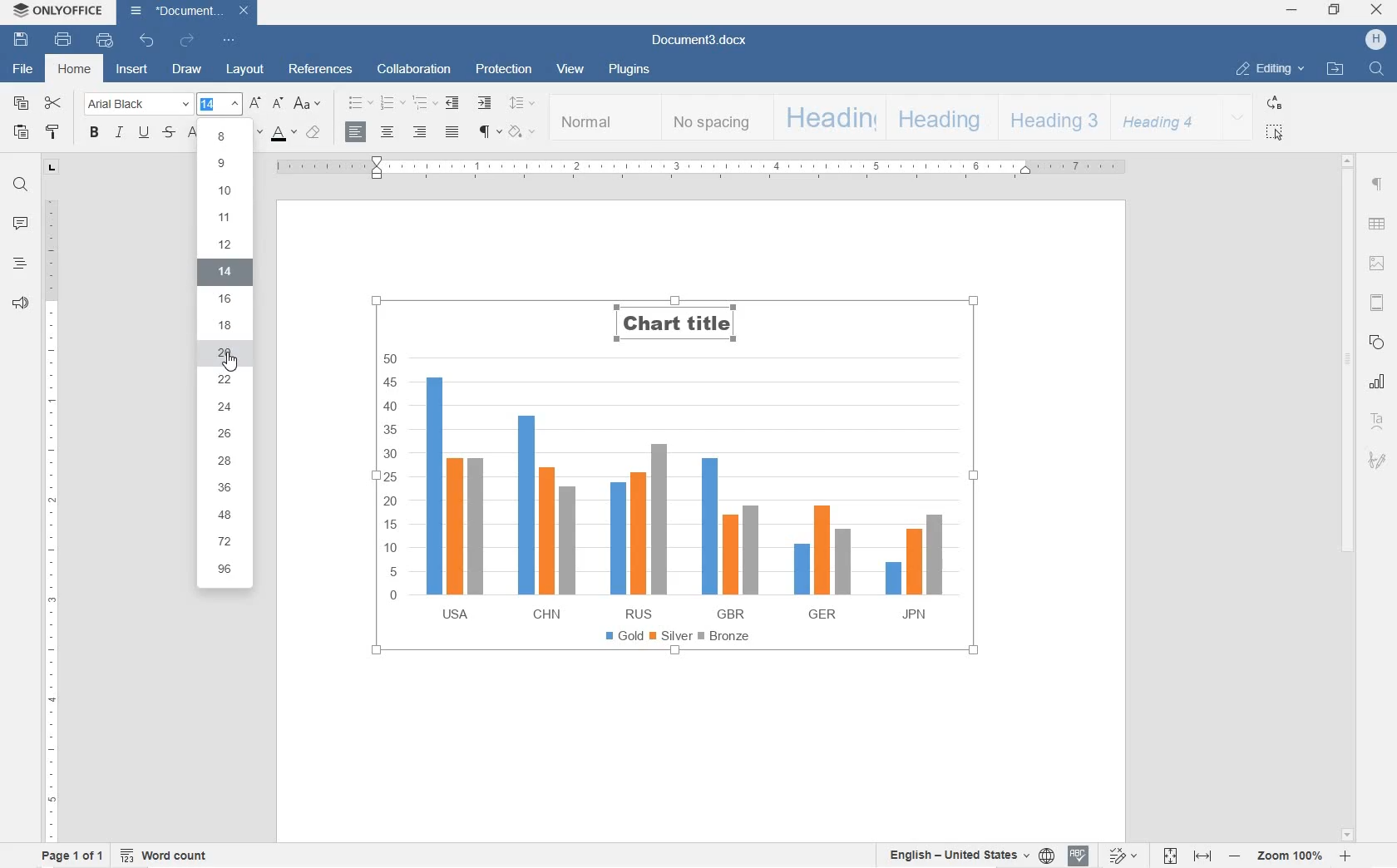  What do you see at coordinates (1376, 303) in the screenshot?
I see `HEADER & FOOTERS` at bounding box center [1376, 303].